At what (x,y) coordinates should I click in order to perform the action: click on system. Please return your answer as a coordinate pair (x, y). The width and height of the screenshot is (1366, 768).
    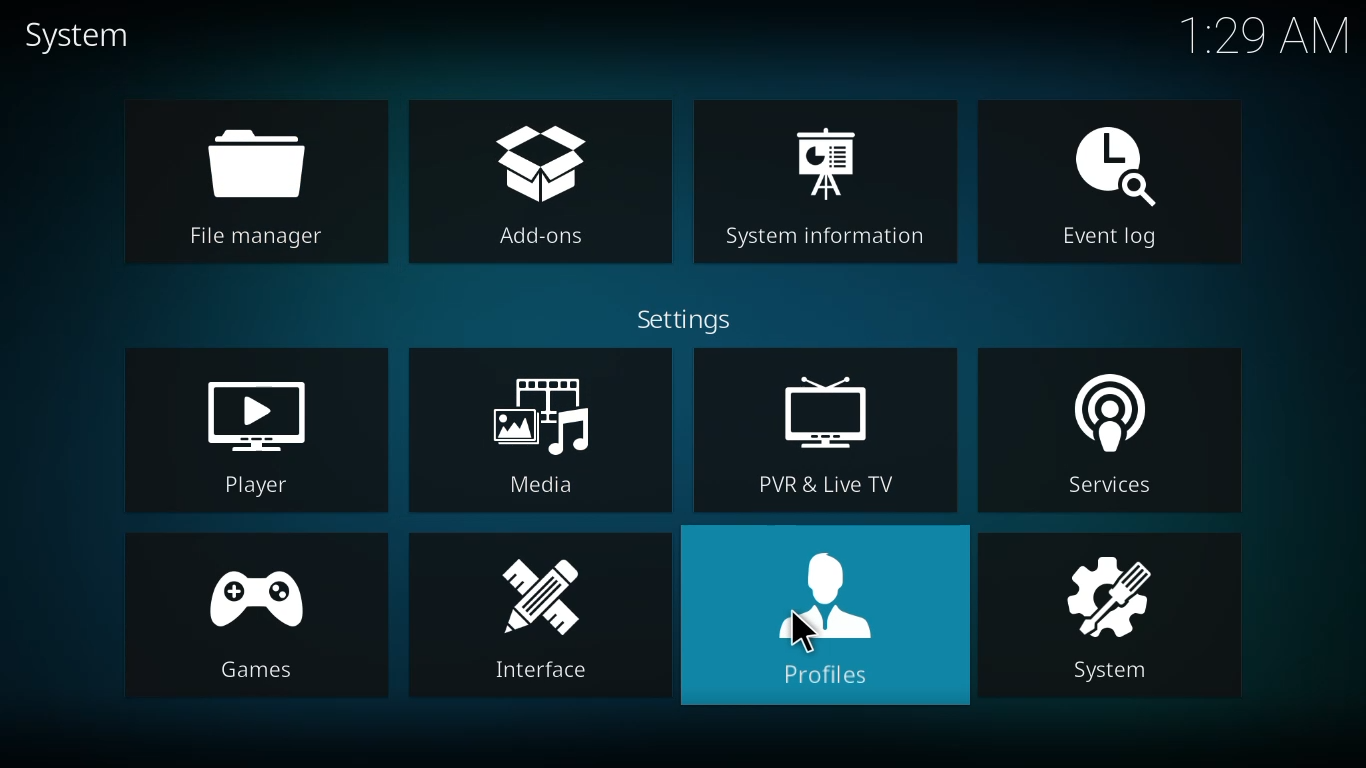
    Looking at the image, I should click on (81, 36).